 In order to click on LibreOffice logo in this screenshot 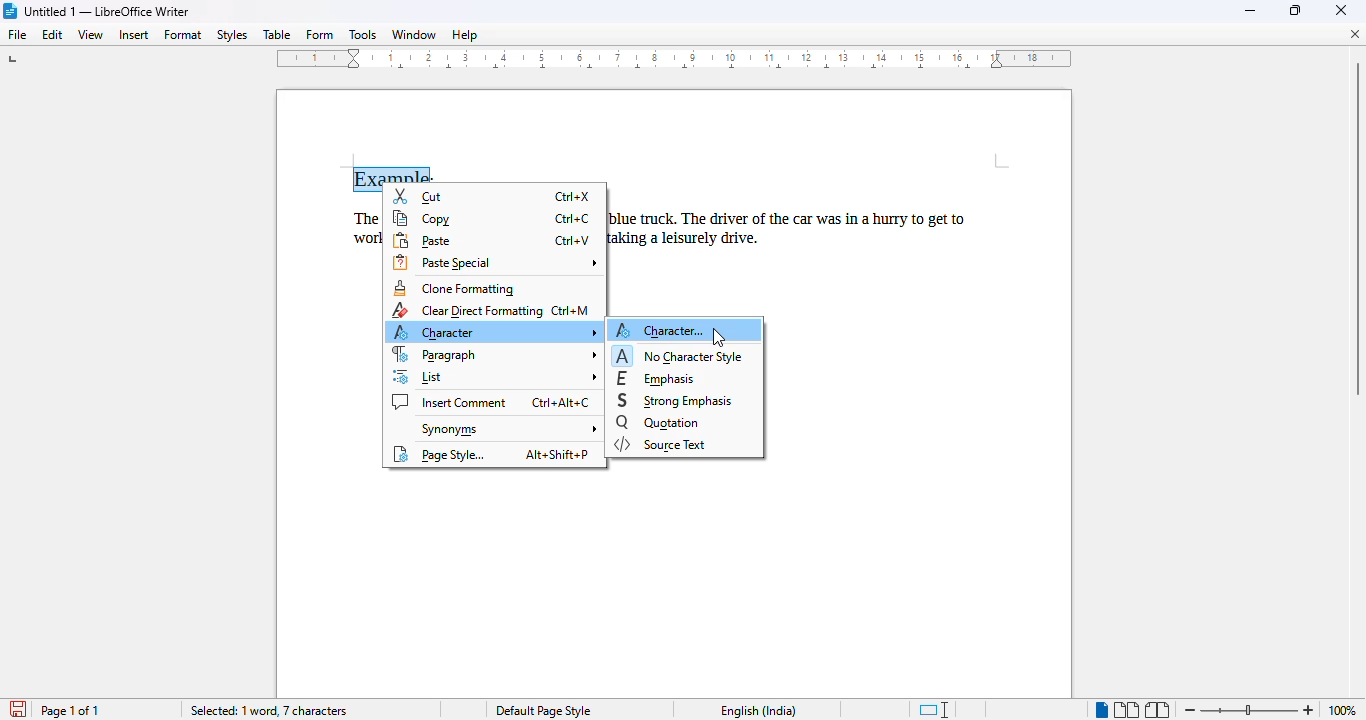, I will do `click(9, 11)`.